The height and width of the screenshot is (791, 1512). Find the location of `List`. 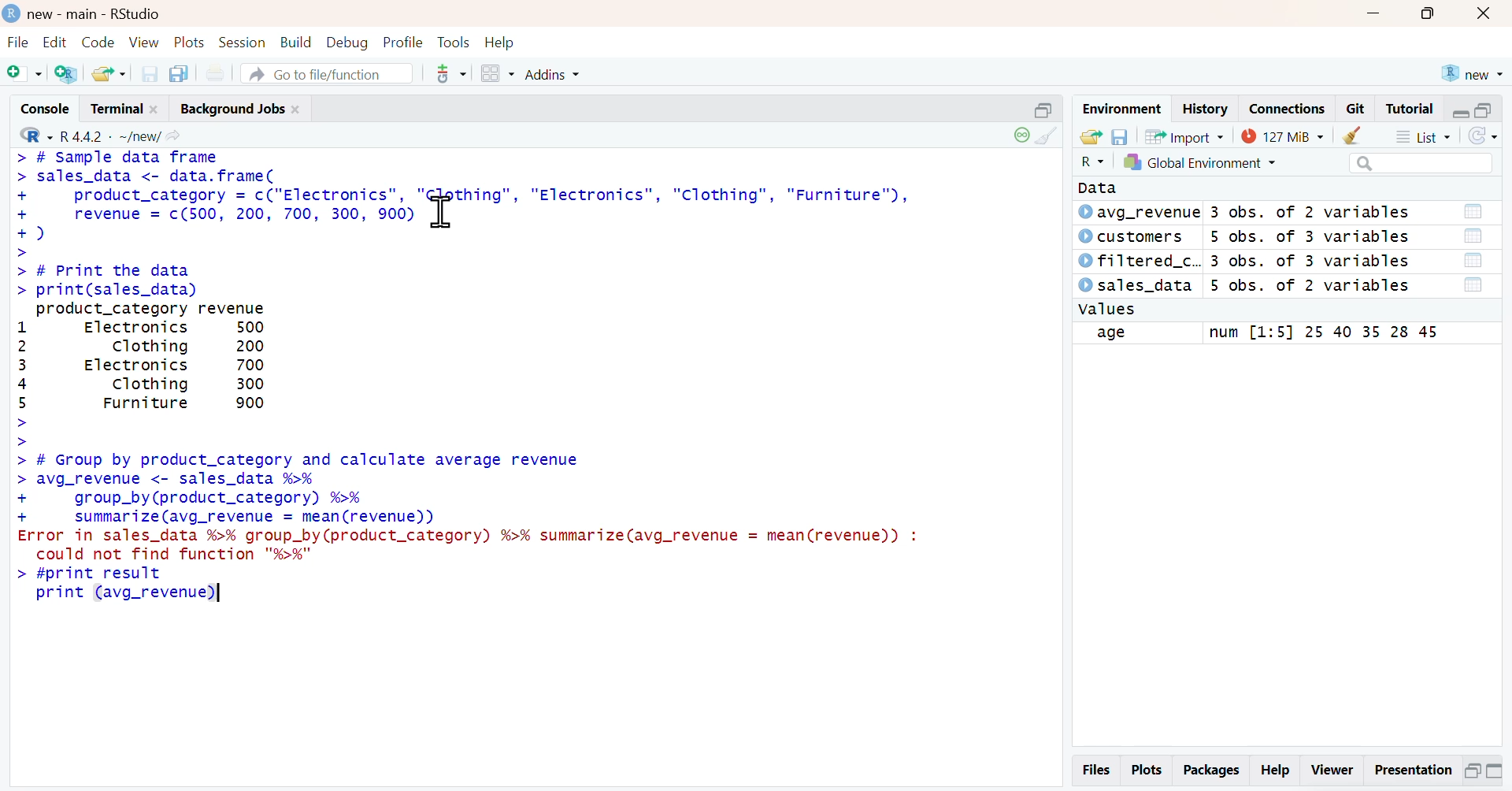

List is located at coordinates (1421, 136).